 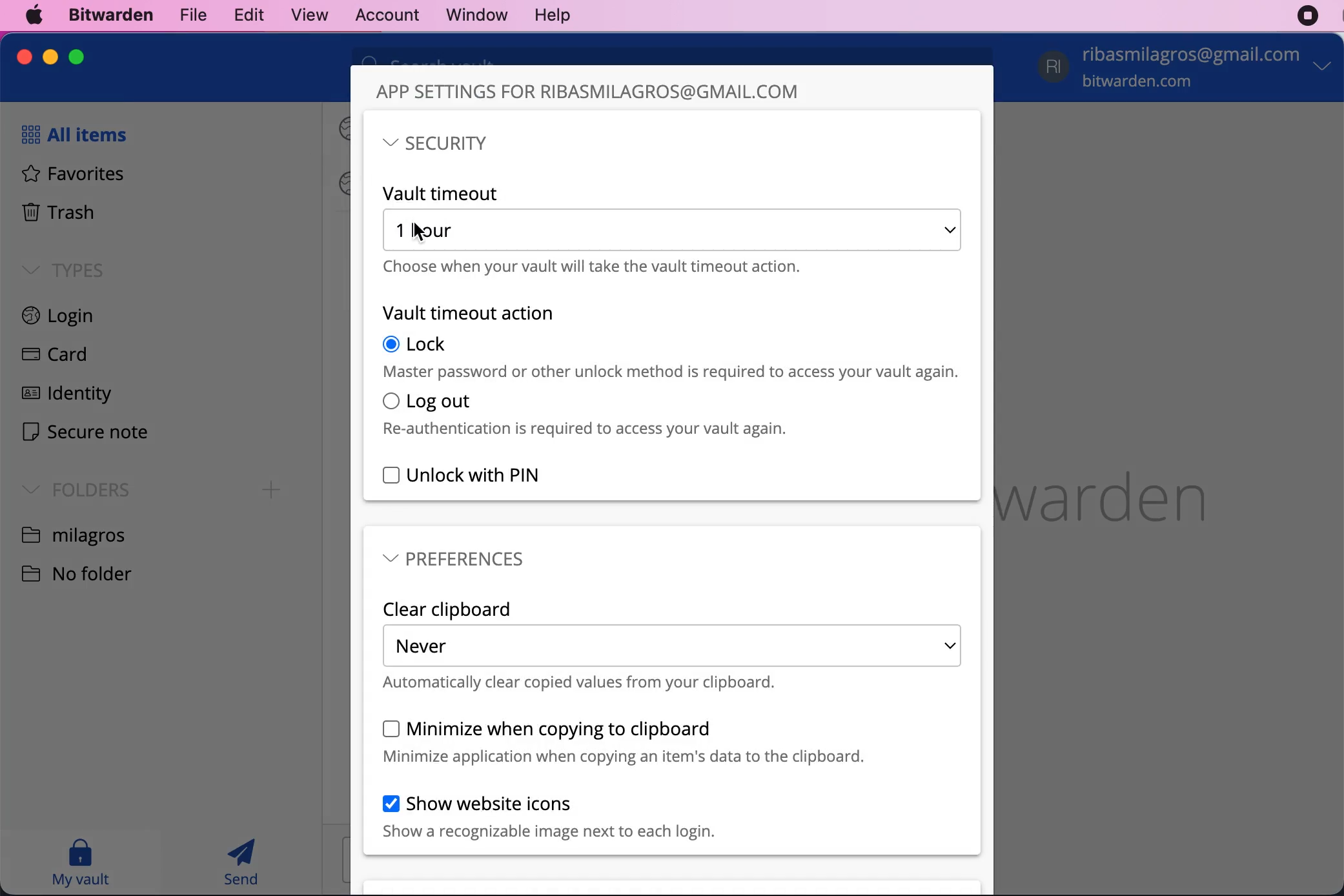 I want to click on bitwarden, so click(x=108, y=16).